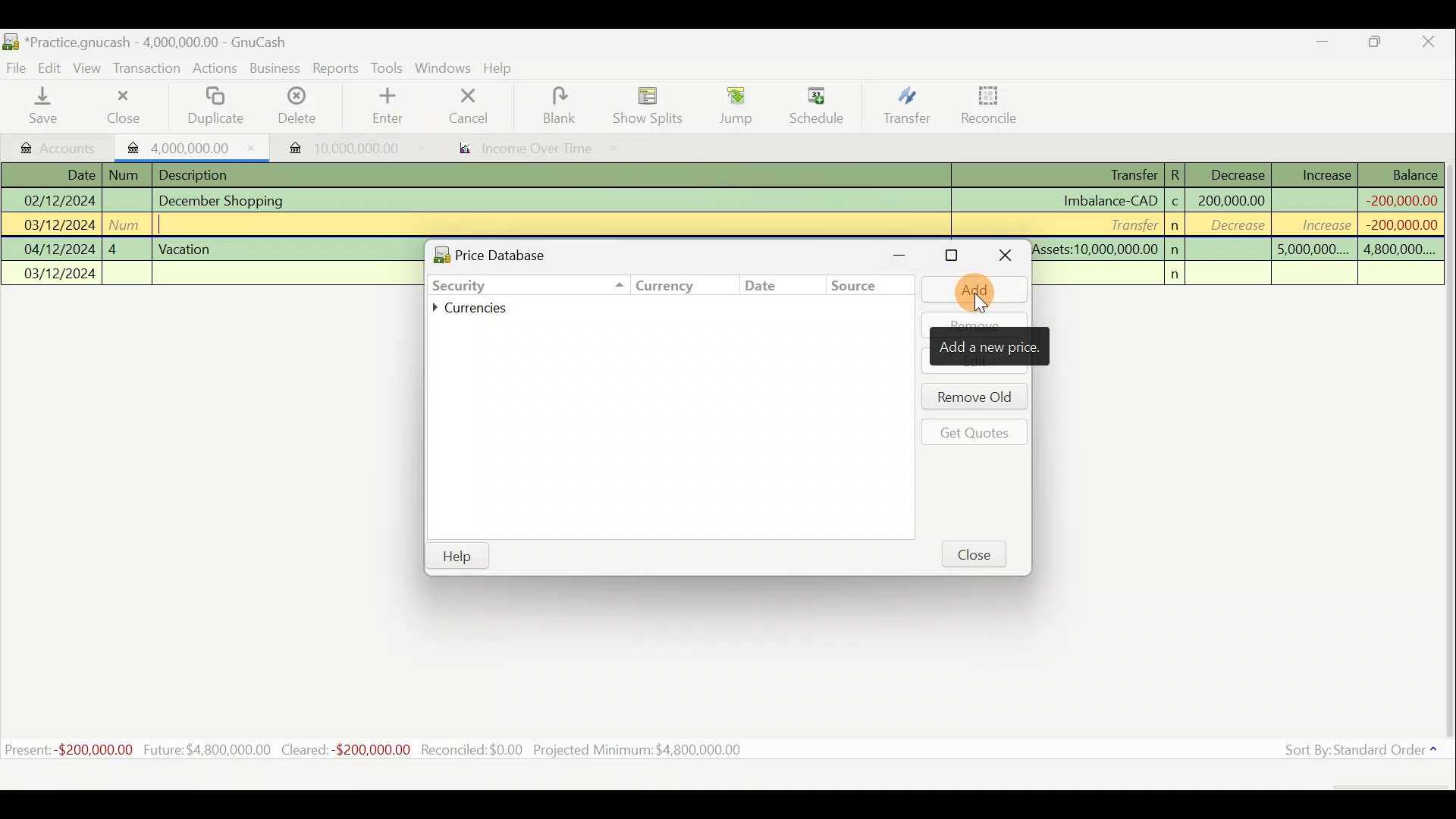 Image resolution: width=1456 pixels, height=819 pixels. I want to click on Close, so click(1433, 42).